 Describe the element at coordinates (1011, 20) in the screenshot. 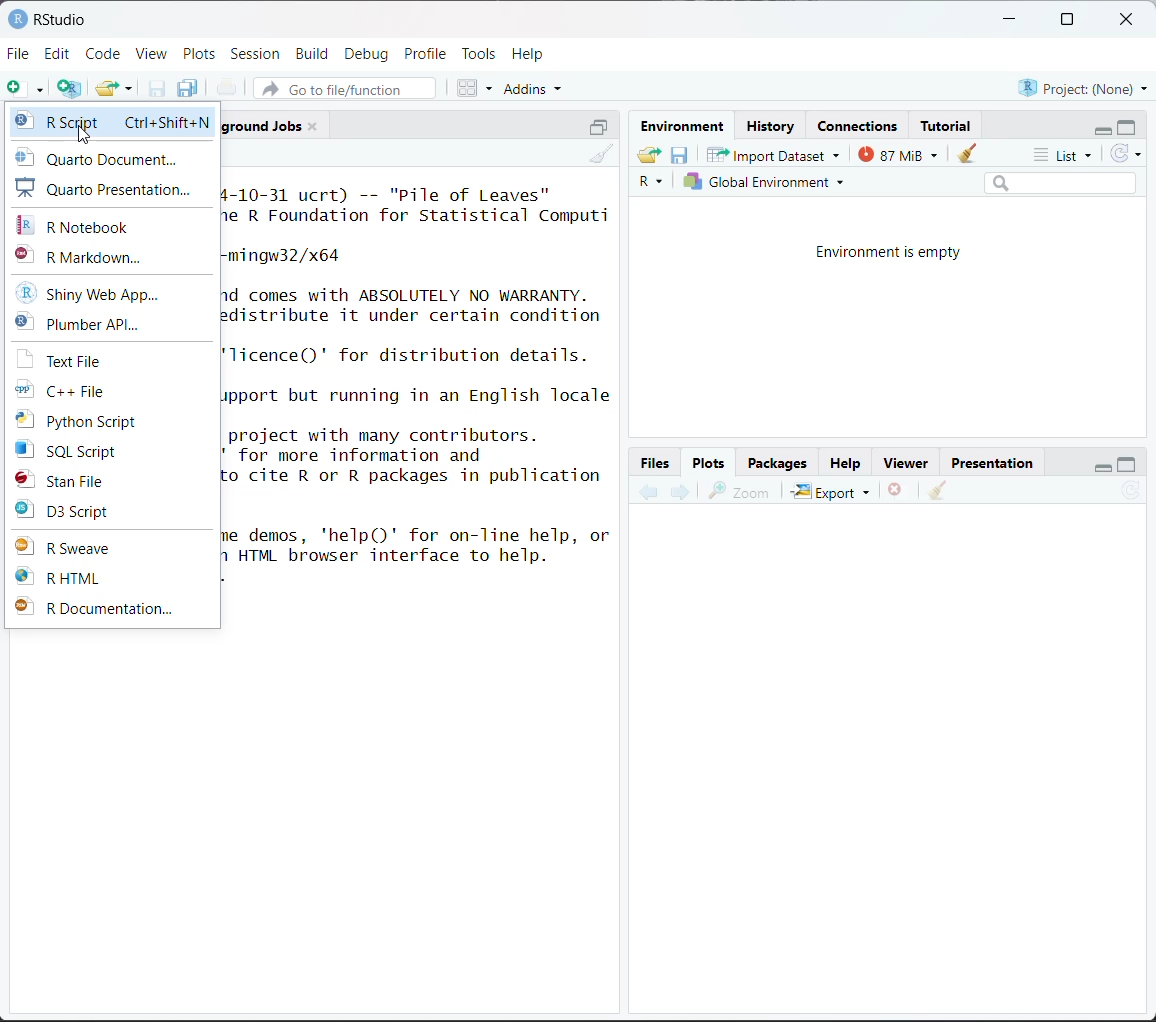

I see `minimize` at that location.